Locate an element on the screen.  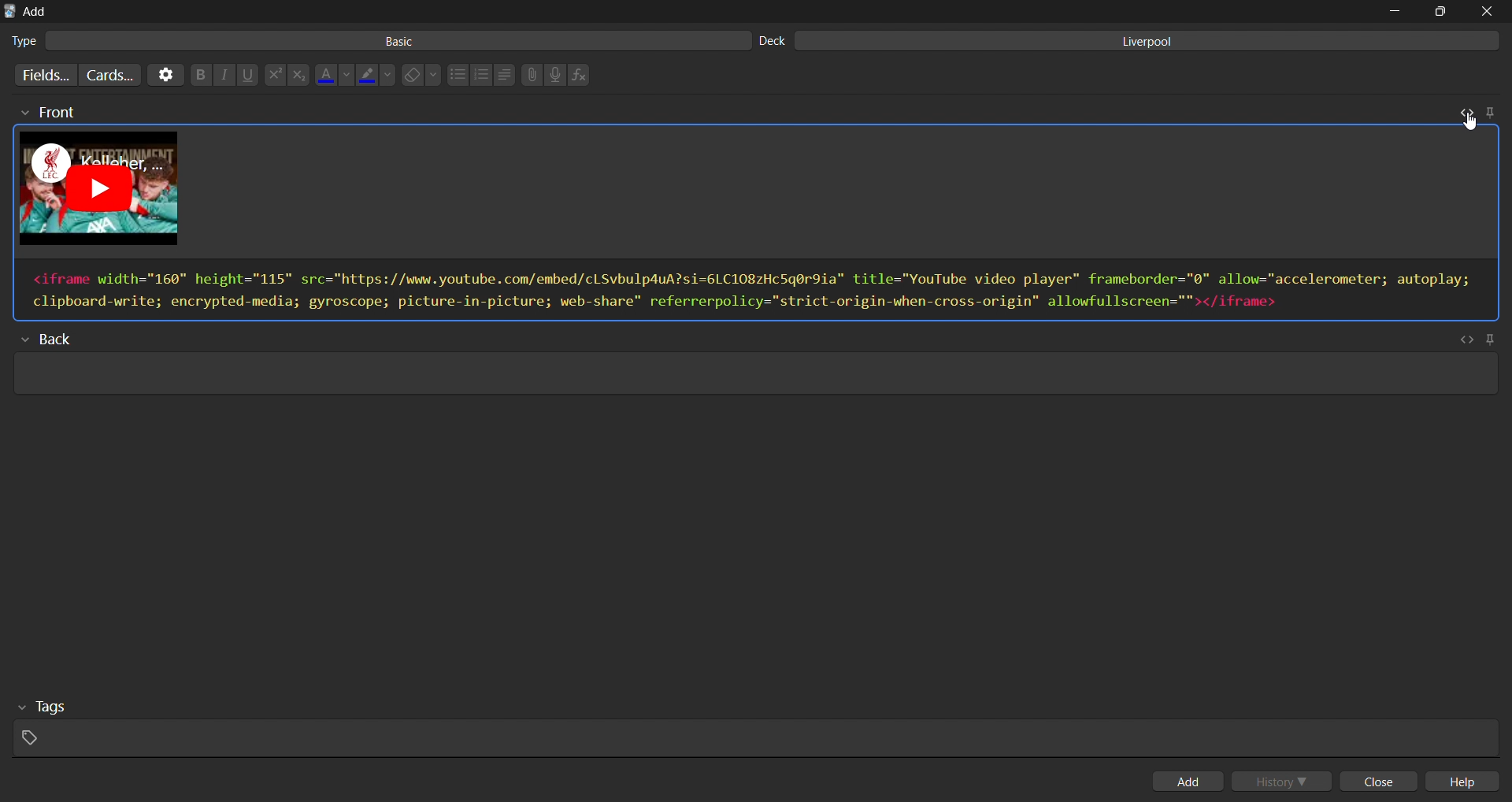
unordered list is located at coordinates (457, 76).